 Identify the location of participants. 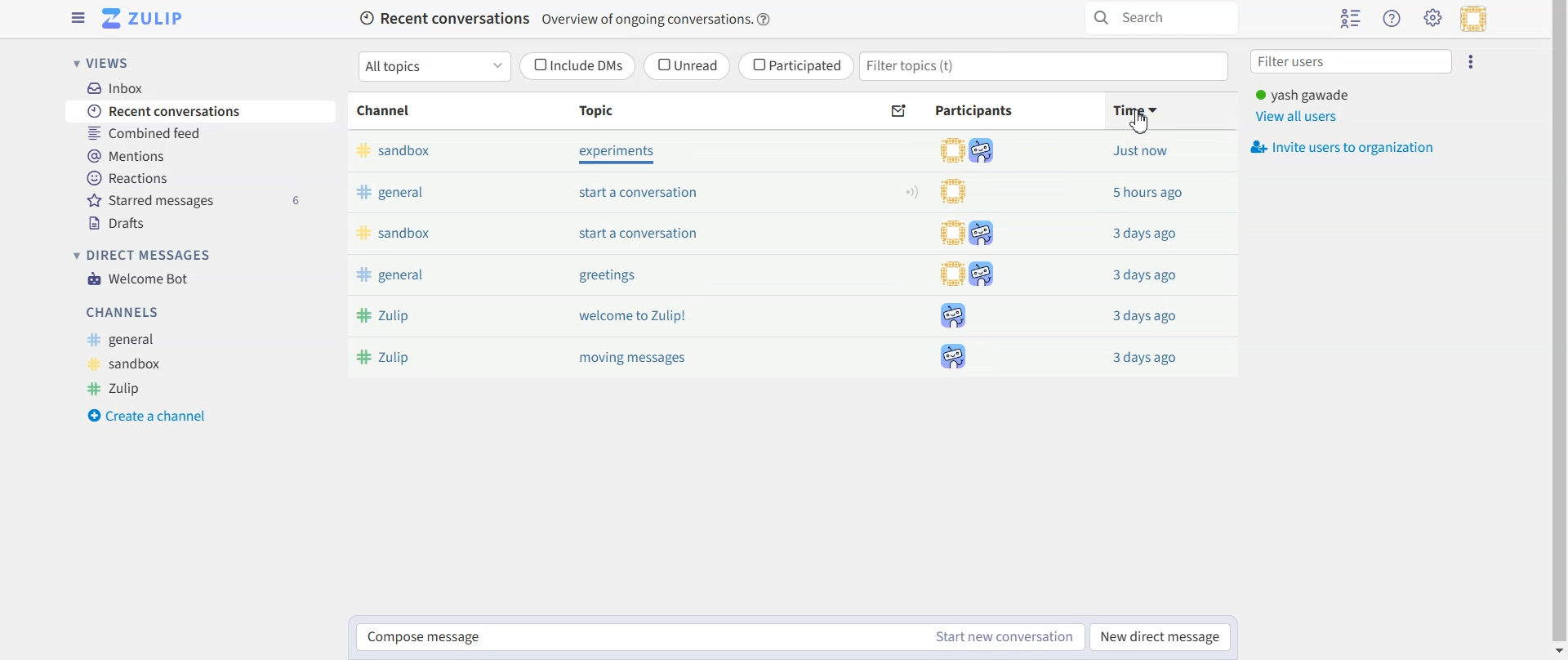
(965, 234).